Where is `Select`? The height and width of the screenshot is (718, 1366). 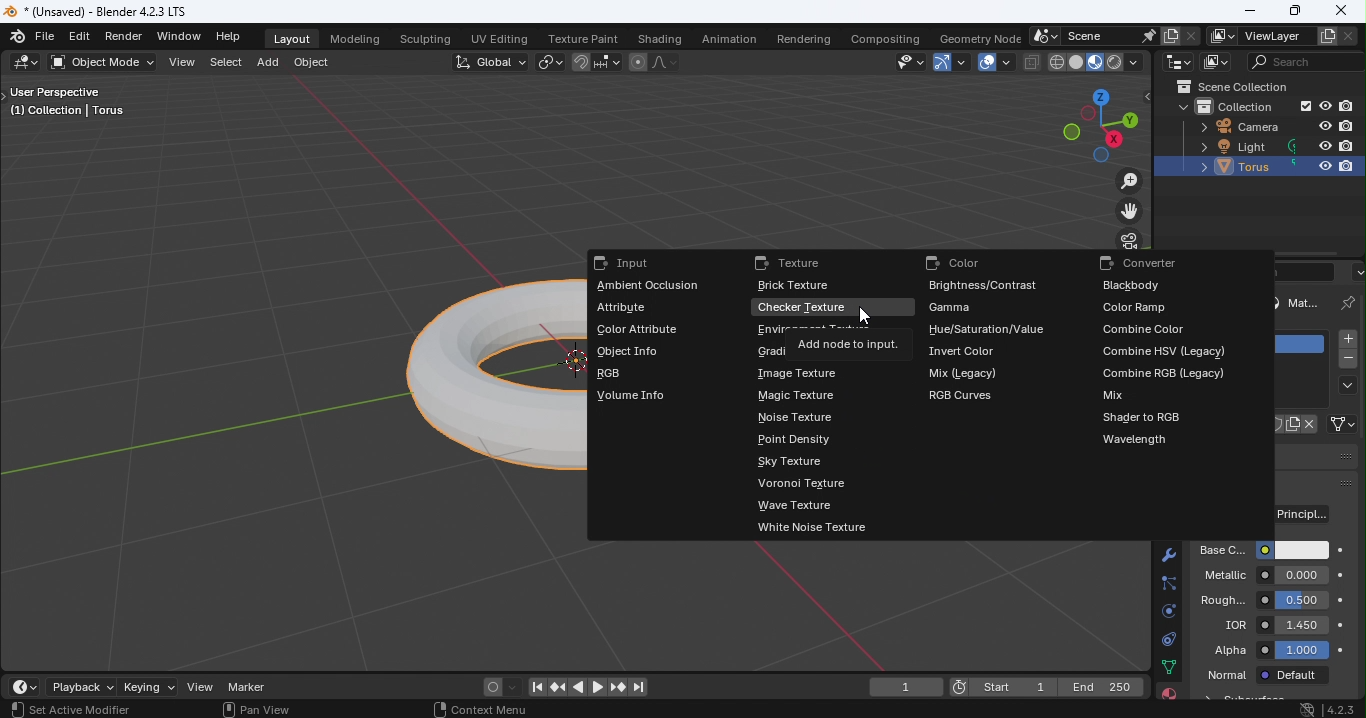 Select is located at coordinates (230, 60).